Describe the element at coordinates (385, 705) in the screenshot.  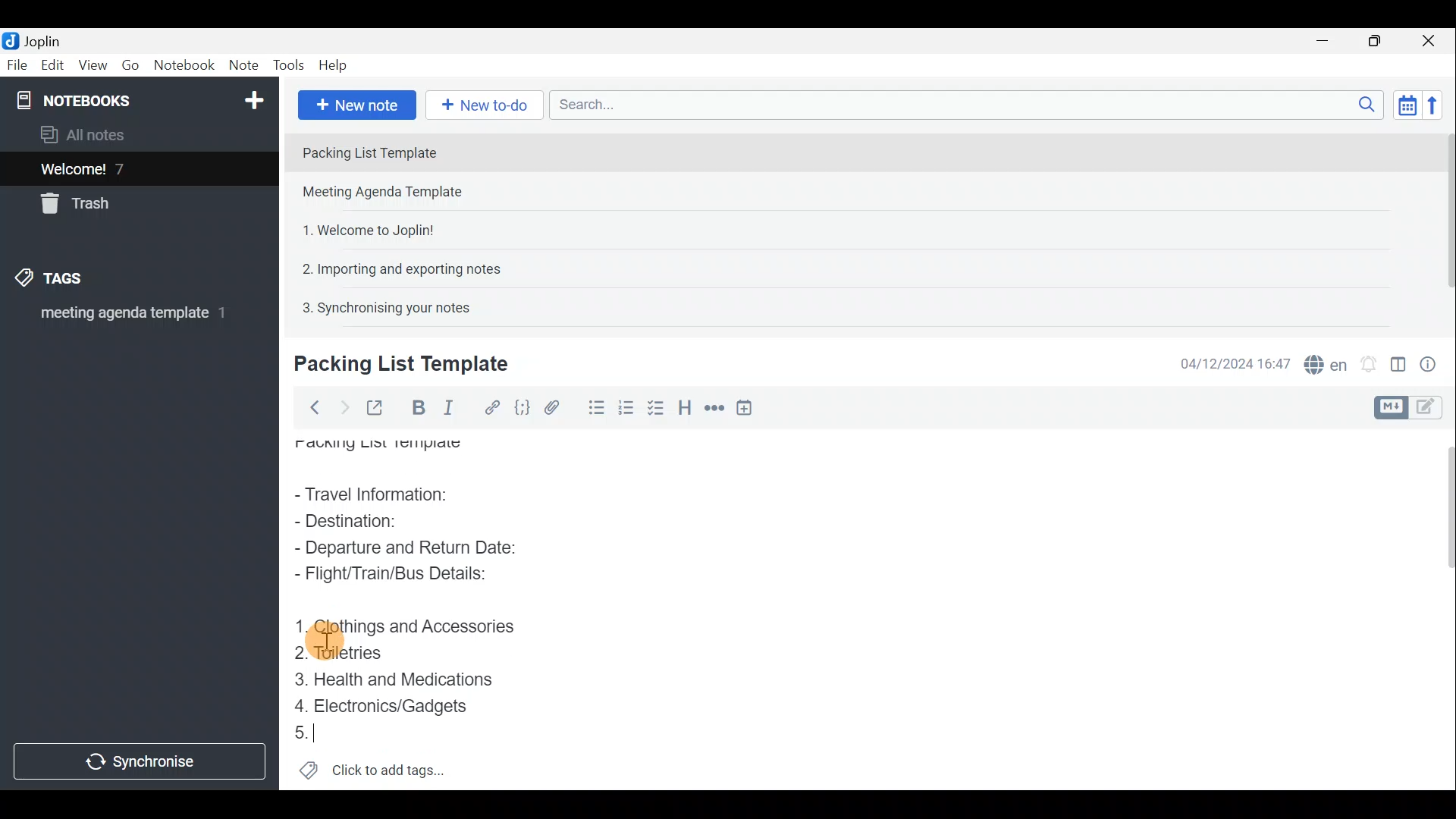
I see `Electronics/Gadgets` at that location.